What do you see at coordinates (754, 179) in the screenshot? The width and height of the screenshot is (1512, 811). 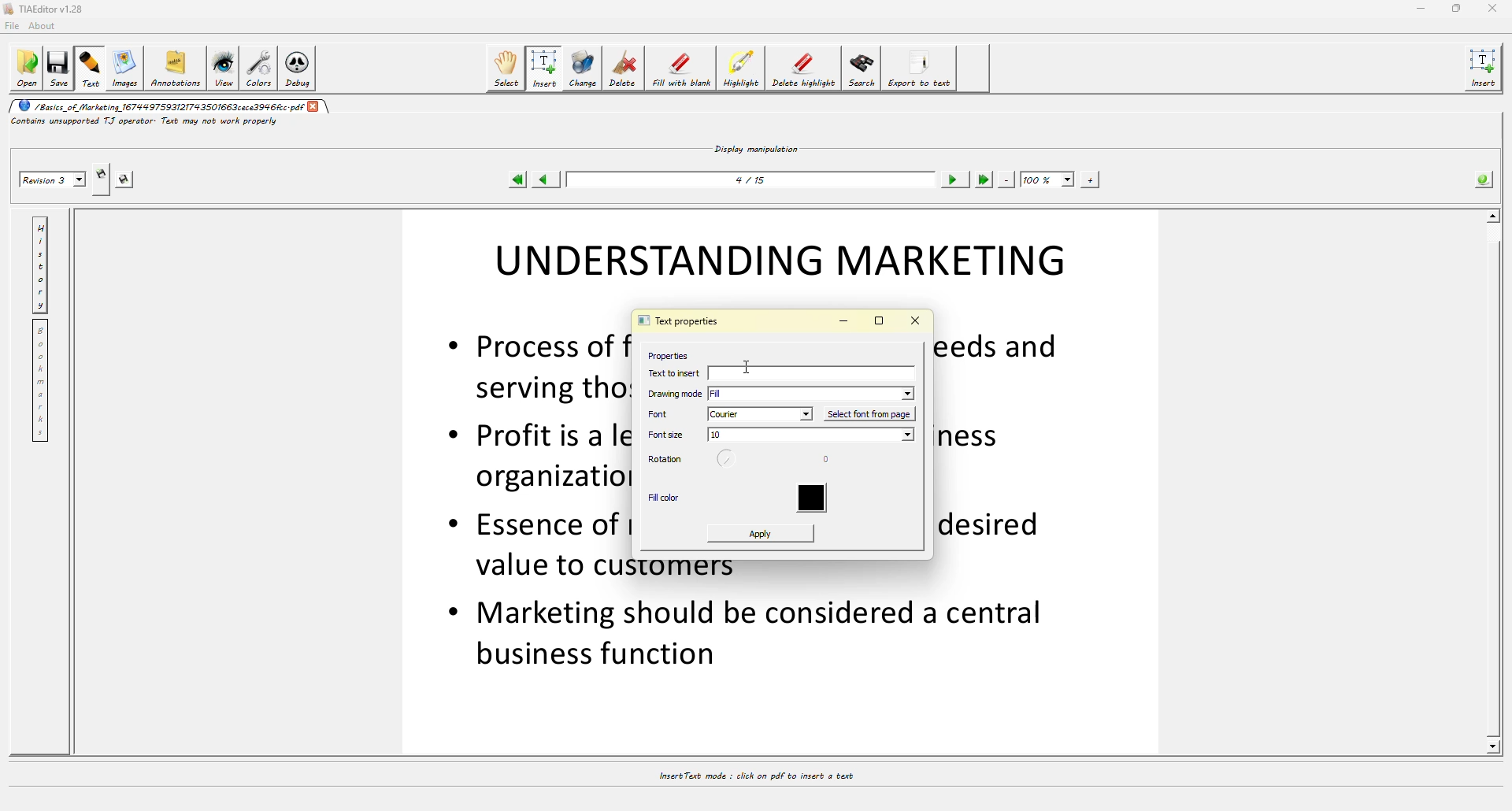 I see `4/15` at bounding box center [754, 179].